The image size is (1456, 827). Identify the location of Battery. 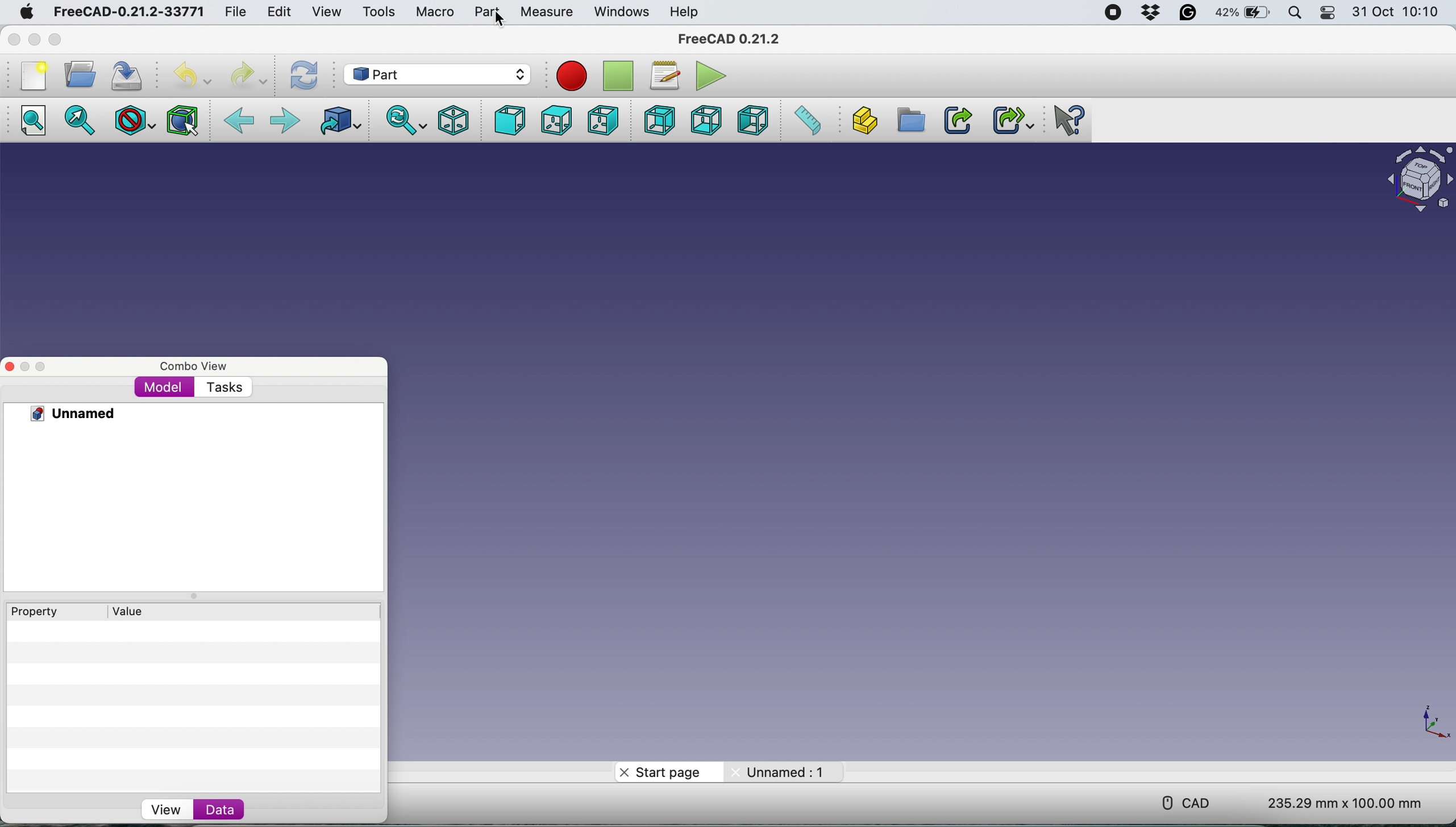
(1239, 11).